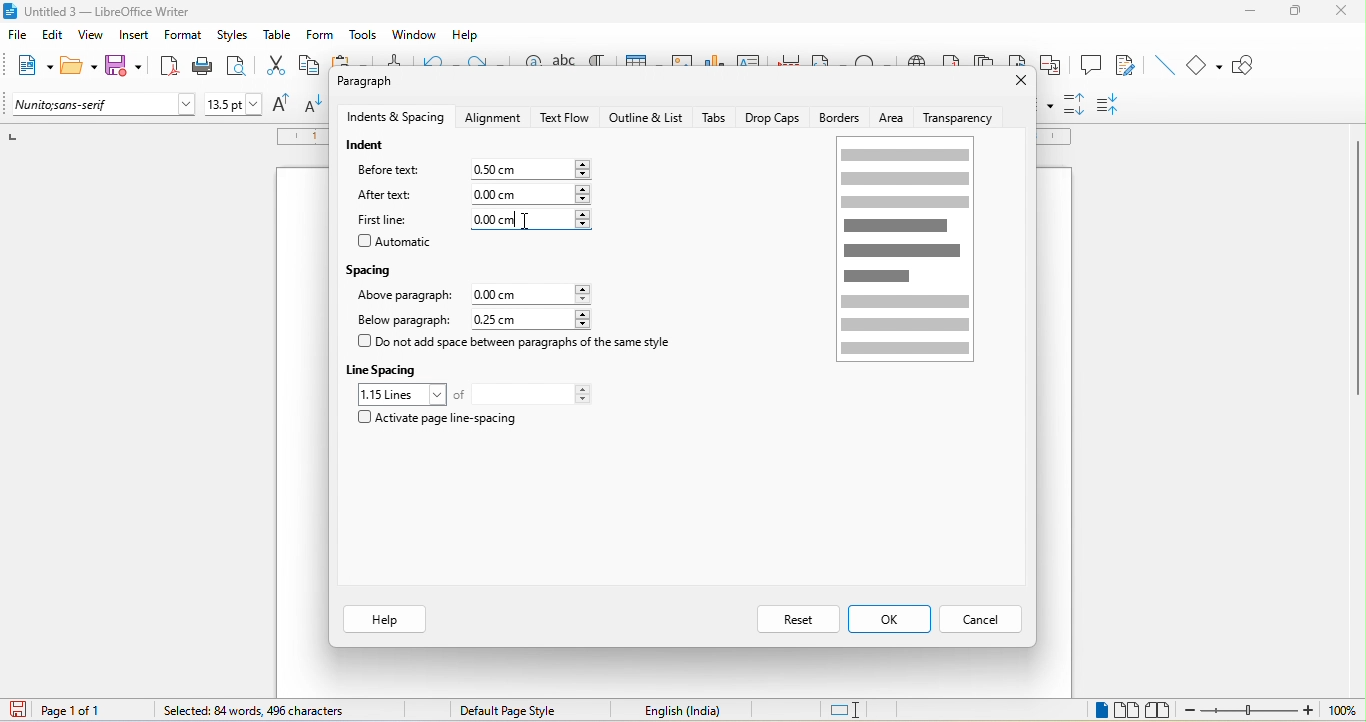  What do you see at coordinates (529, 343) in the screenshot?
I see `do not add space between paragraph of the same style` at bounding box center [529, 343].